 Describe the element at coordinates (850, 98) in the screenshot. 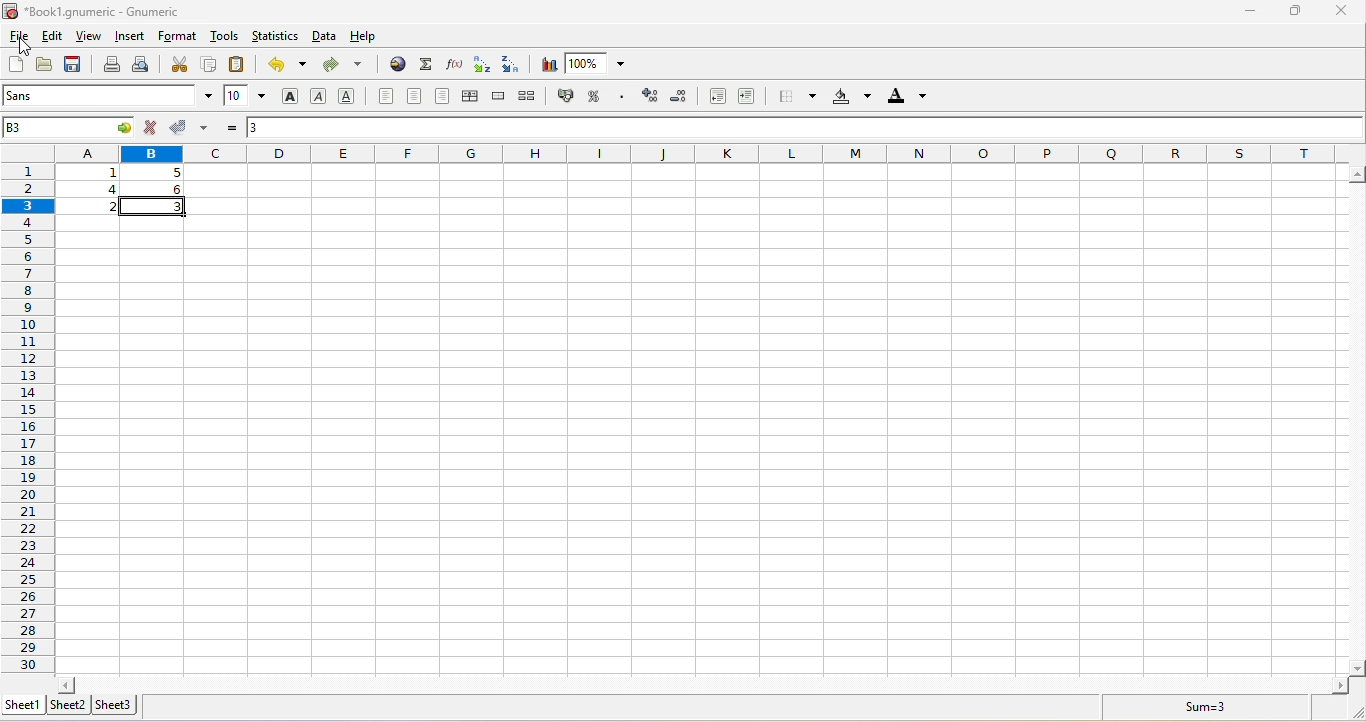

I see `background` at that location.